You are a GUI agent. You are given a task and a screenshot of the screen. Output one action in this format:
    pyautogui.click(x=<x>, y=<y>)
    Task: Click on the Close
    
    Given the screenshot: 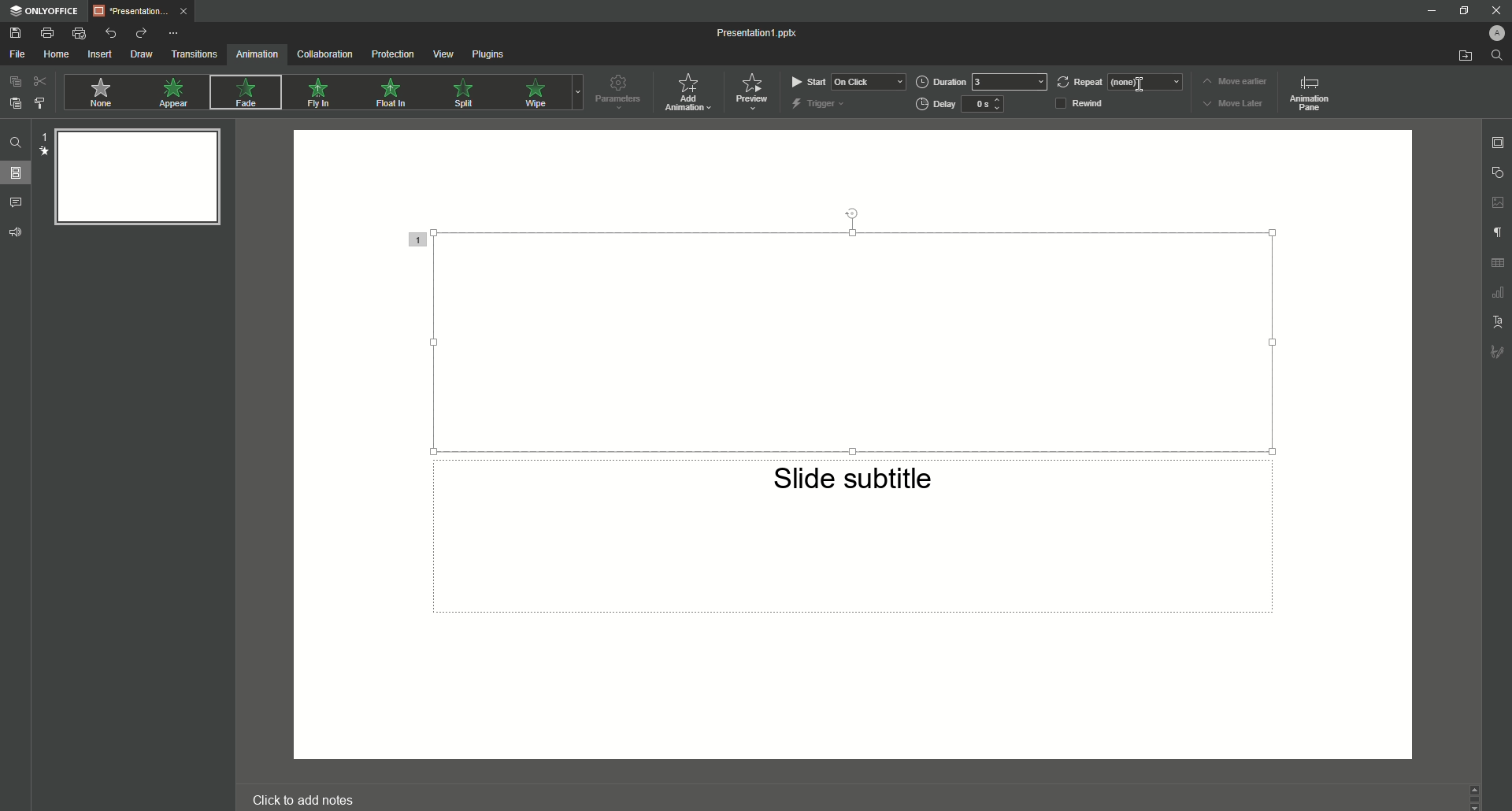 What is the action you would take?
    pyautogui.click(x=1496, y=10)
    